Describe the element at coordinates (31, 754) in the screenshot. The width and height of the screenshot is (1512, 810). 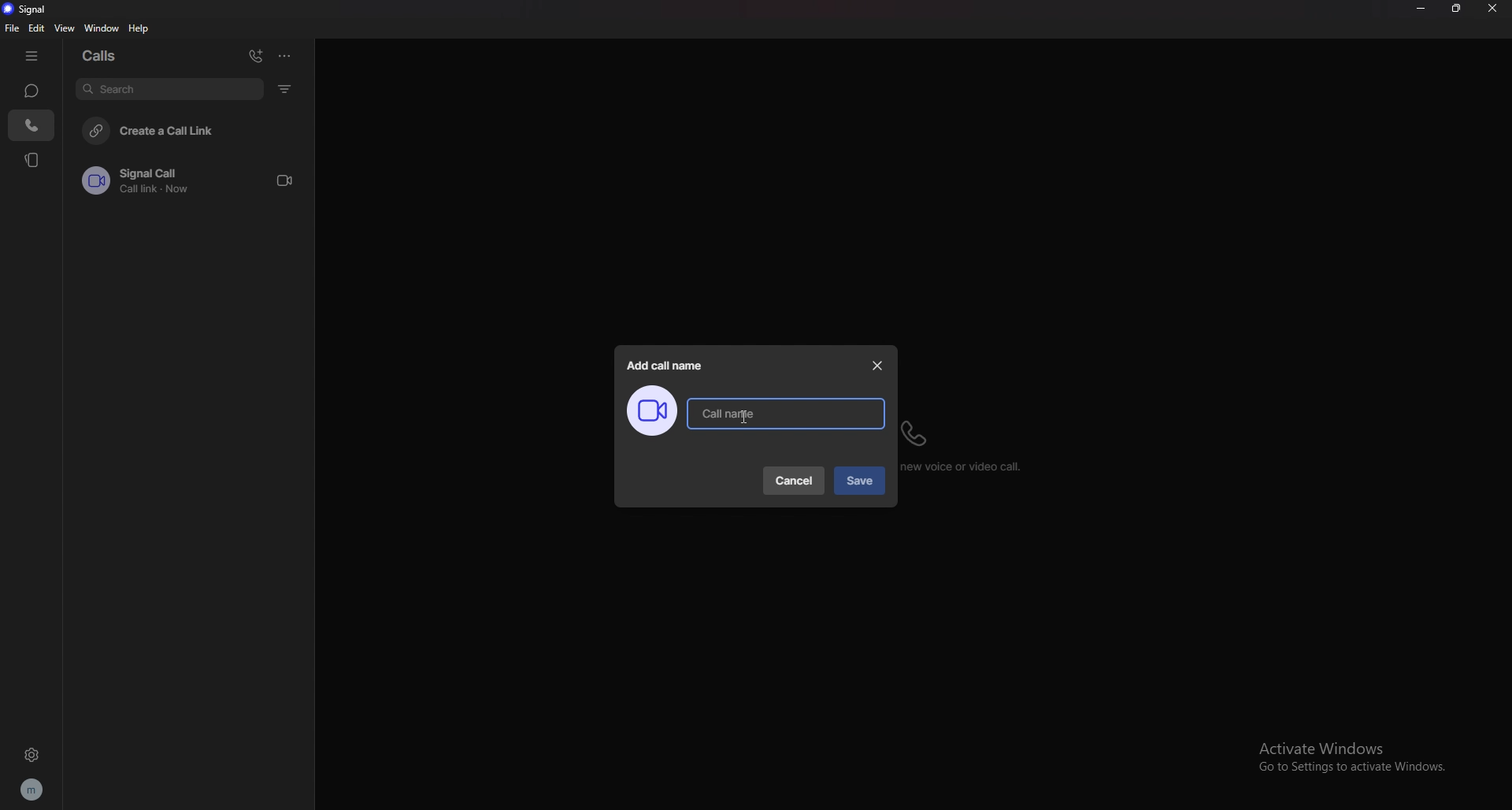
I see `settings` at that location.